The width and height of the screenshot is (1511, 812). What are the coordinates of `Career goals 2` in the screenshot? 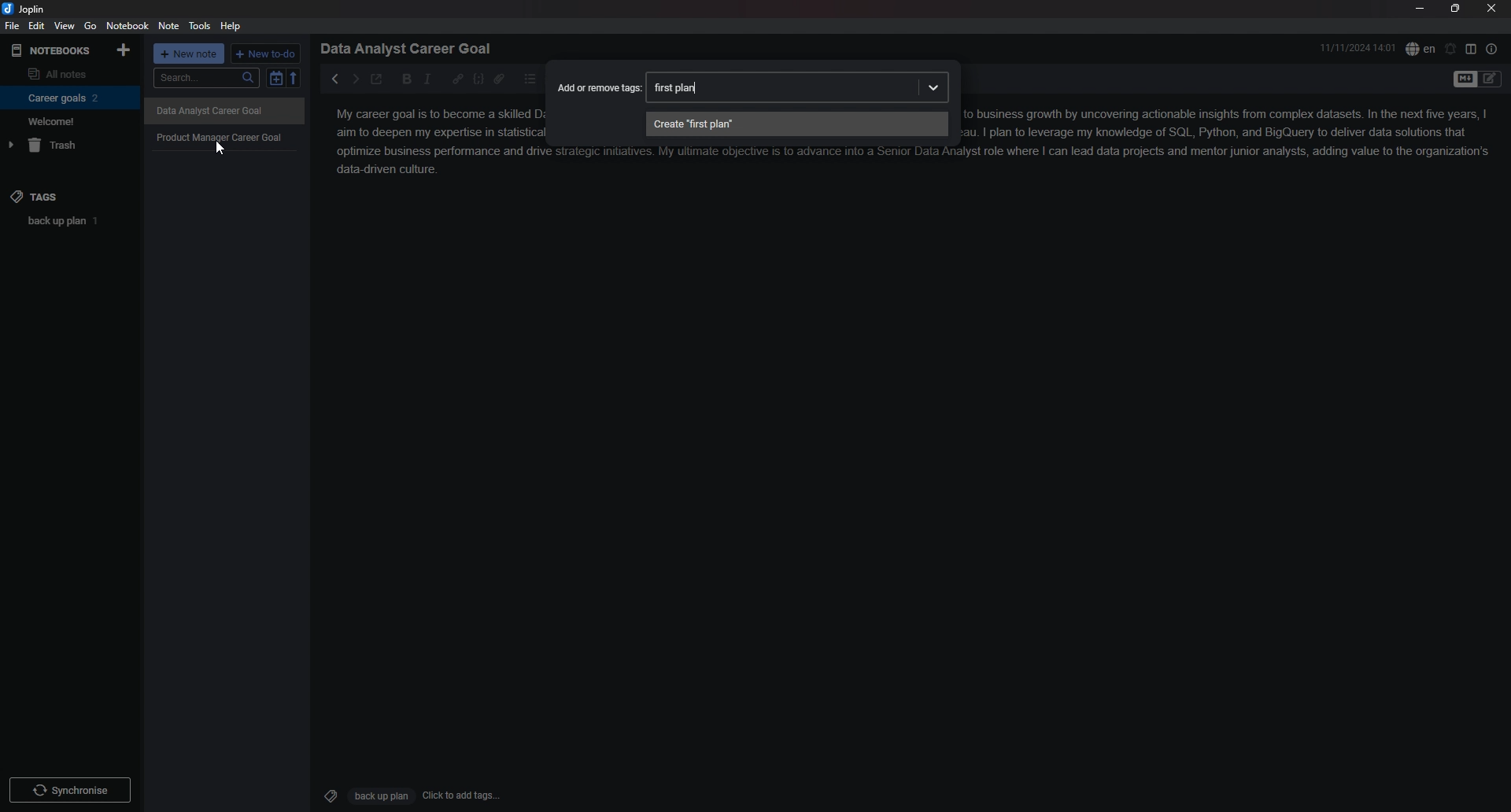 It's located at (67, 98).